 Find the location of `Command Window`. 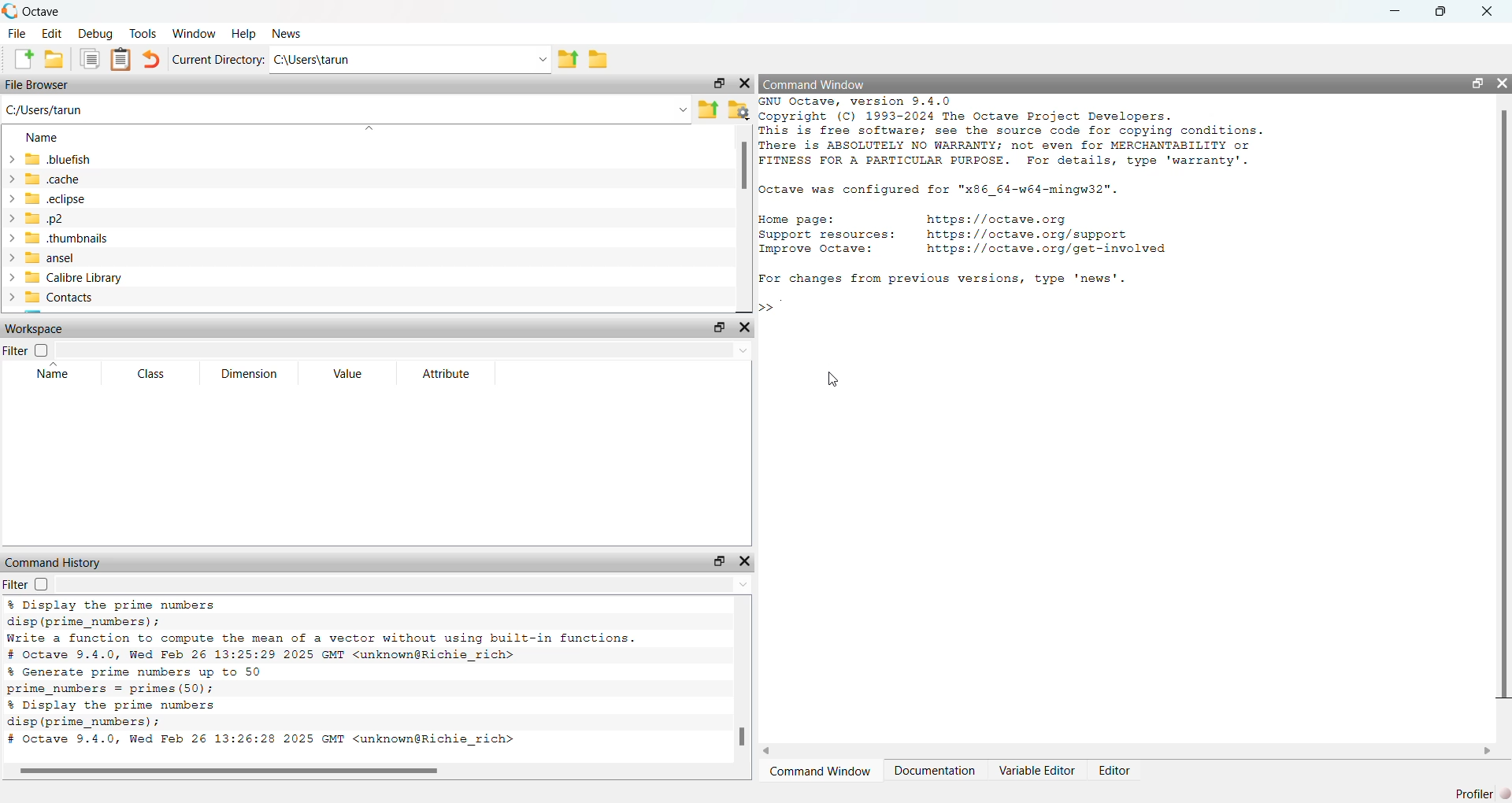

Command Window is located at coordinates (821, 770).